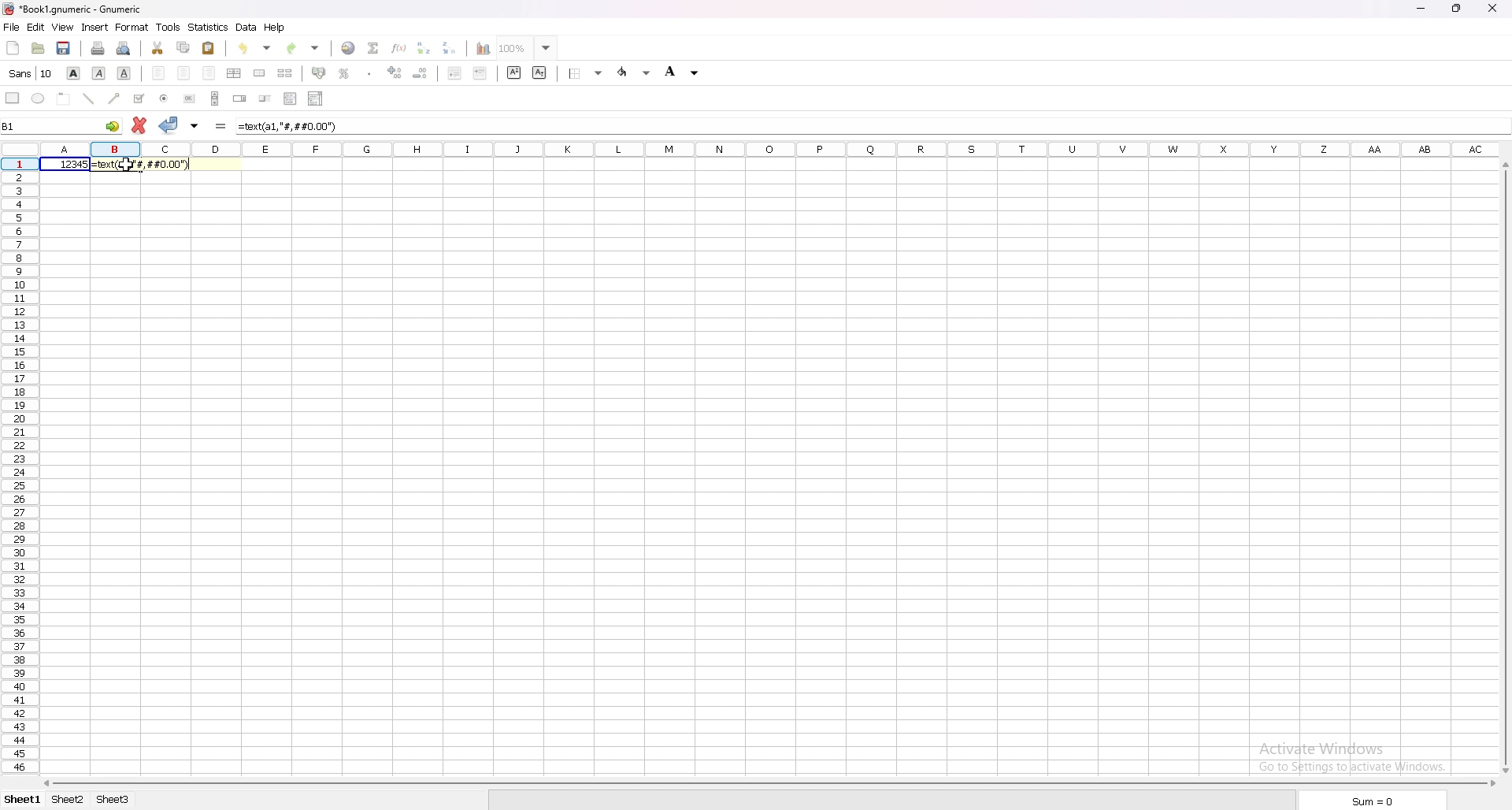 The height and width of the screenshot is (810, 1512). What do you see at coordinates (215, 98) in the screenshot?
I see `scroll bar` at bounding box center [215, 98].